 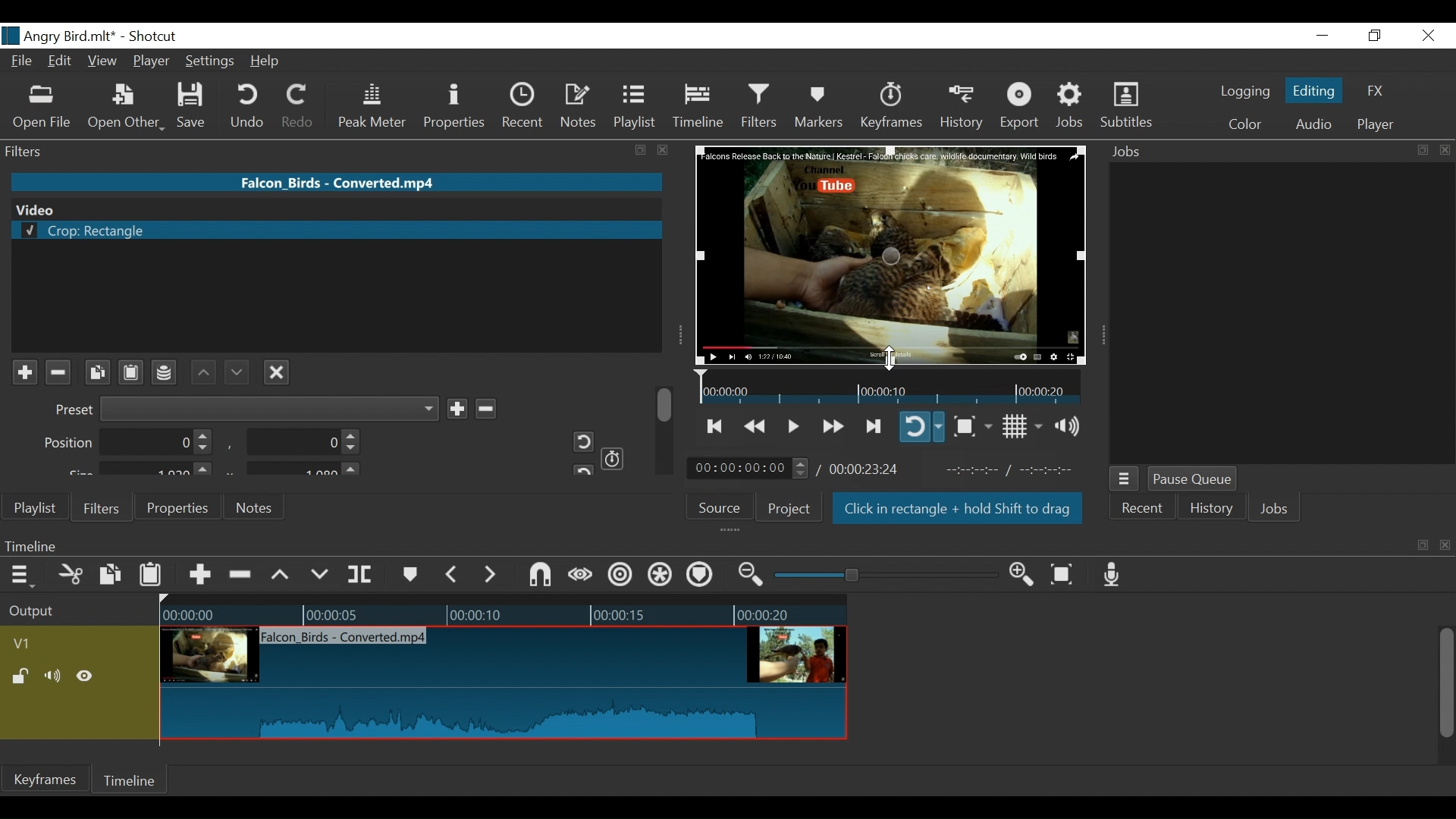 What do you see at coordinates (1245, 93) in the screenshot?
I see `logging` at bounding box center [1245, 93].